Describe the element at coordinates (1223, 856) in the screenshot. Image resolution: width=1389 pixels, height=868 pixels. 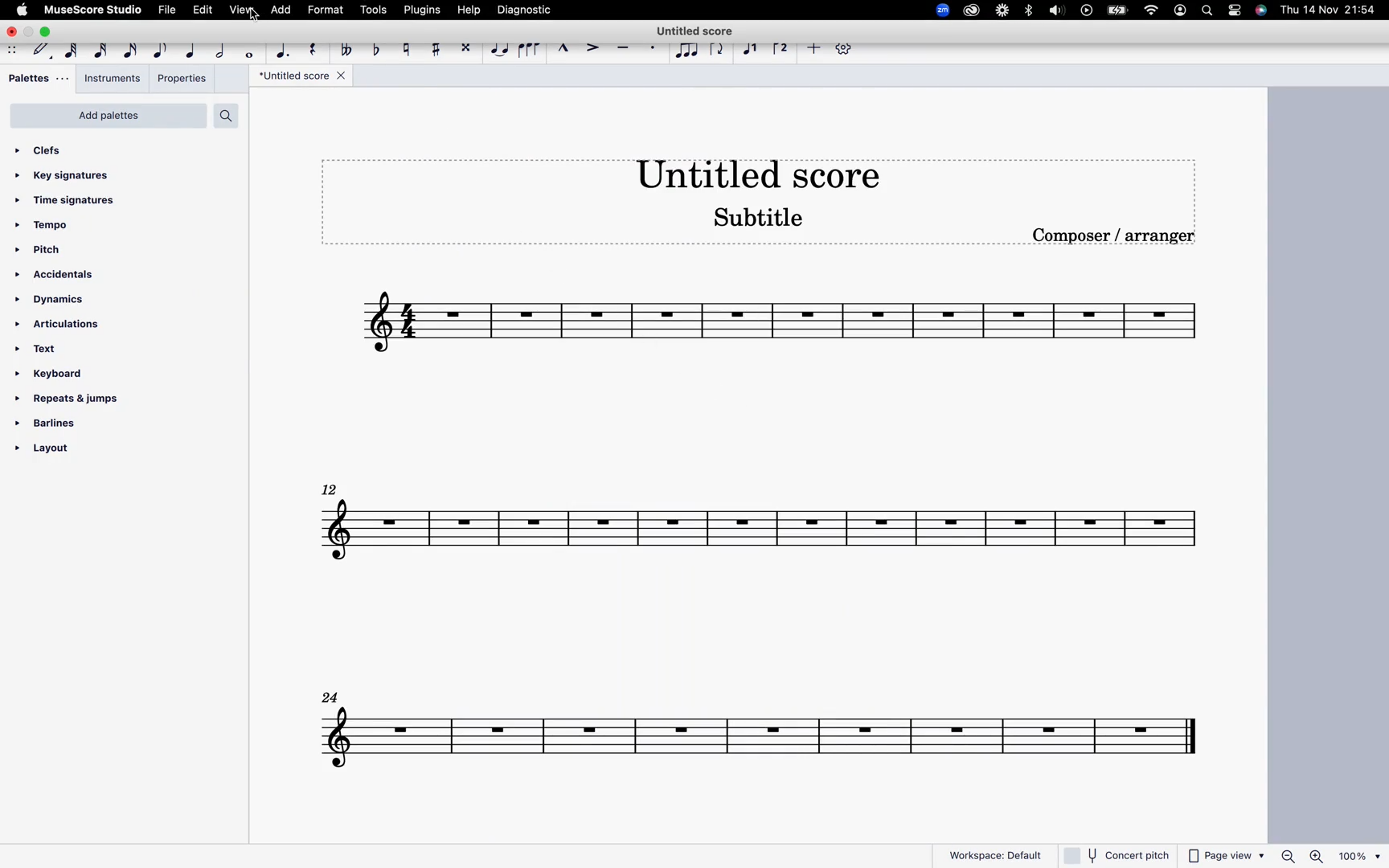
I see `page view` at that location.